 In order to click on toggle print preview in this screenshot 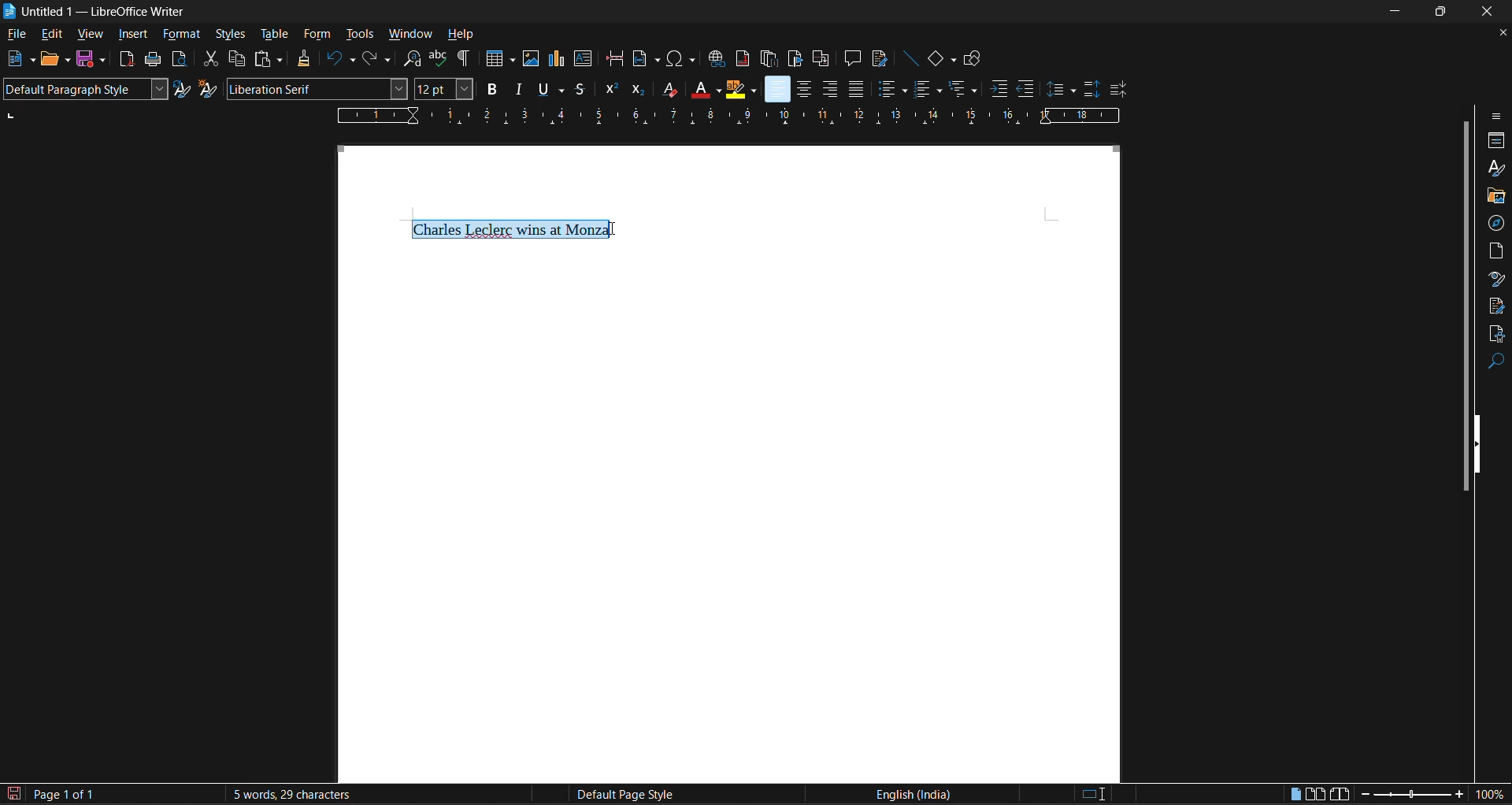, I will do `click(177, 57)`.